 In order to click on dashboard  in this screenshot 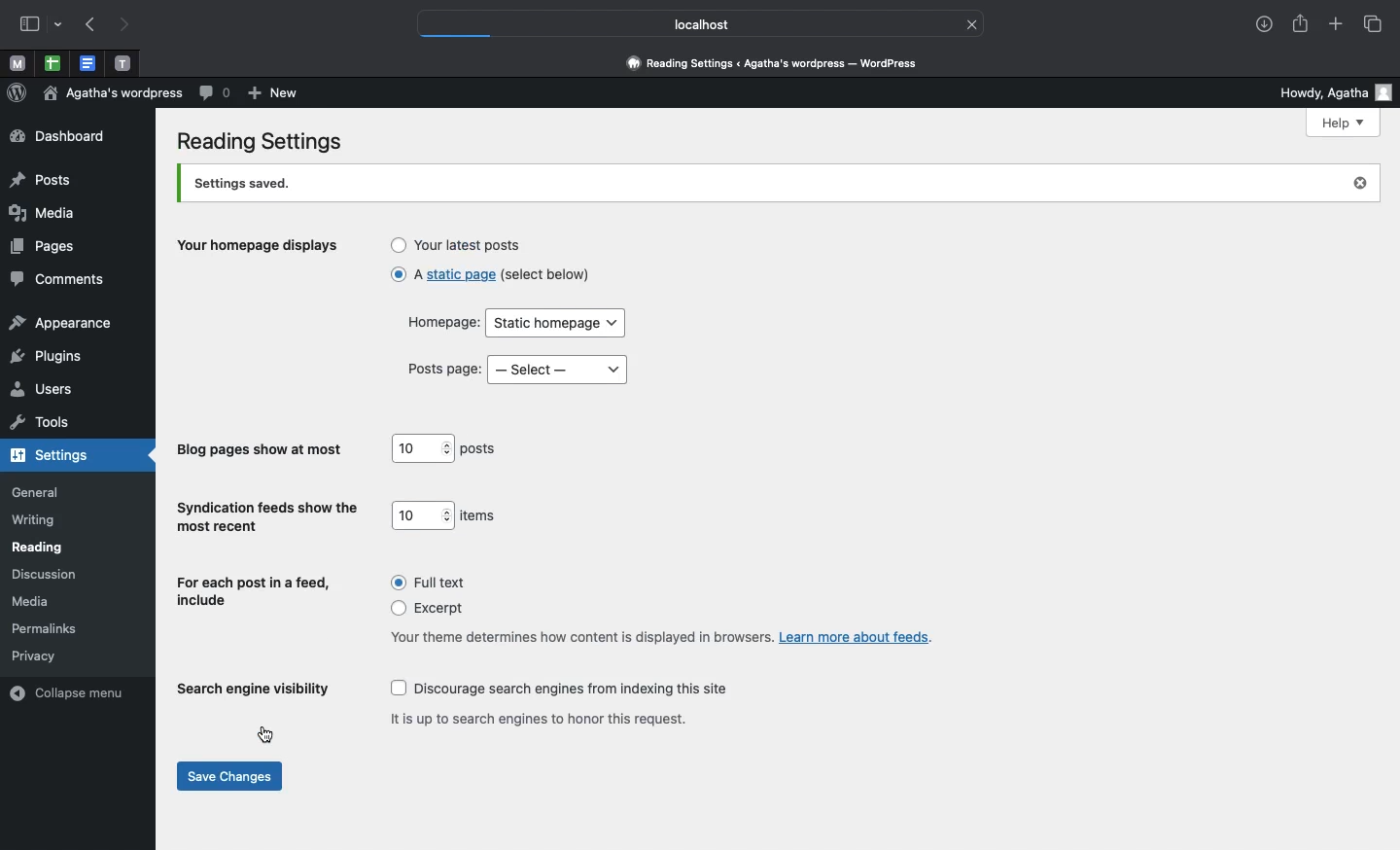, I will do `click(57, 136)`.